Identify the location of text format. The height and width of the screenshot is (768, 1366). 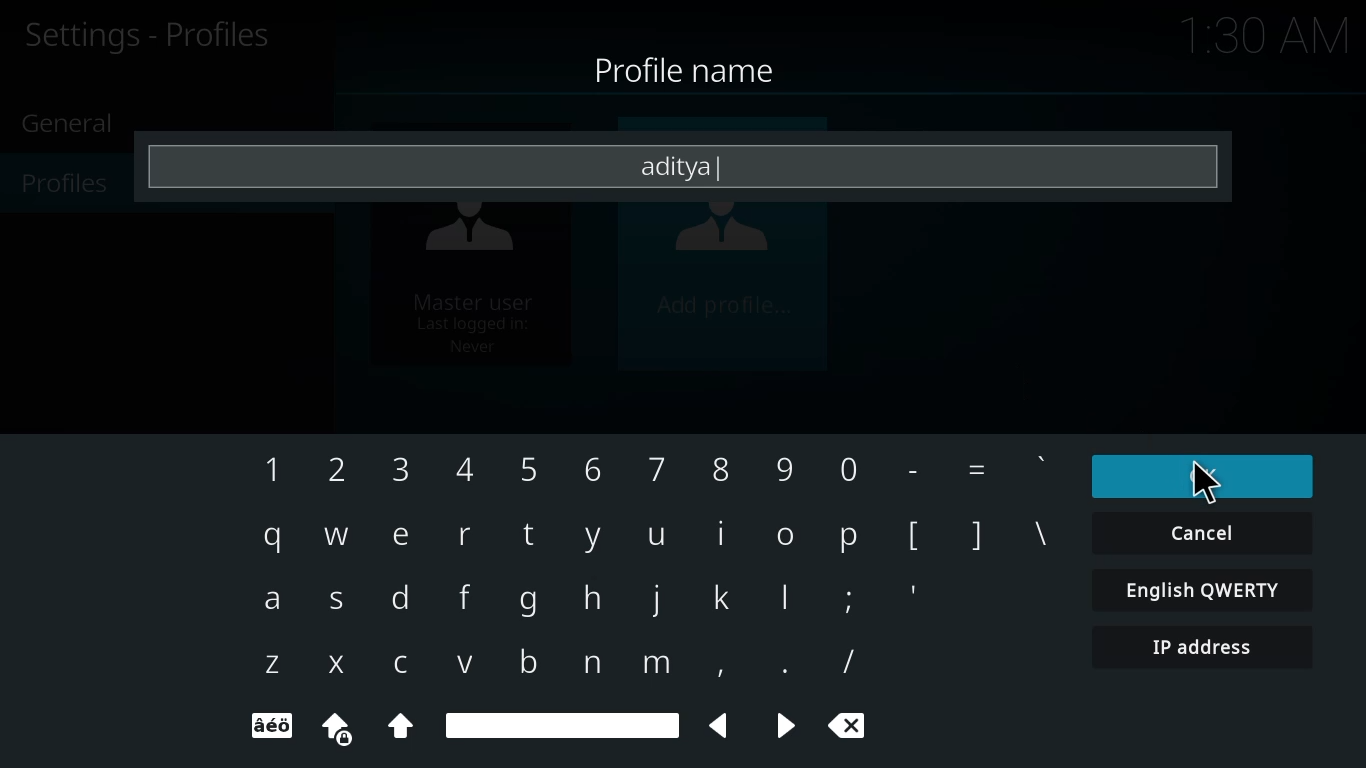
(265, 727).